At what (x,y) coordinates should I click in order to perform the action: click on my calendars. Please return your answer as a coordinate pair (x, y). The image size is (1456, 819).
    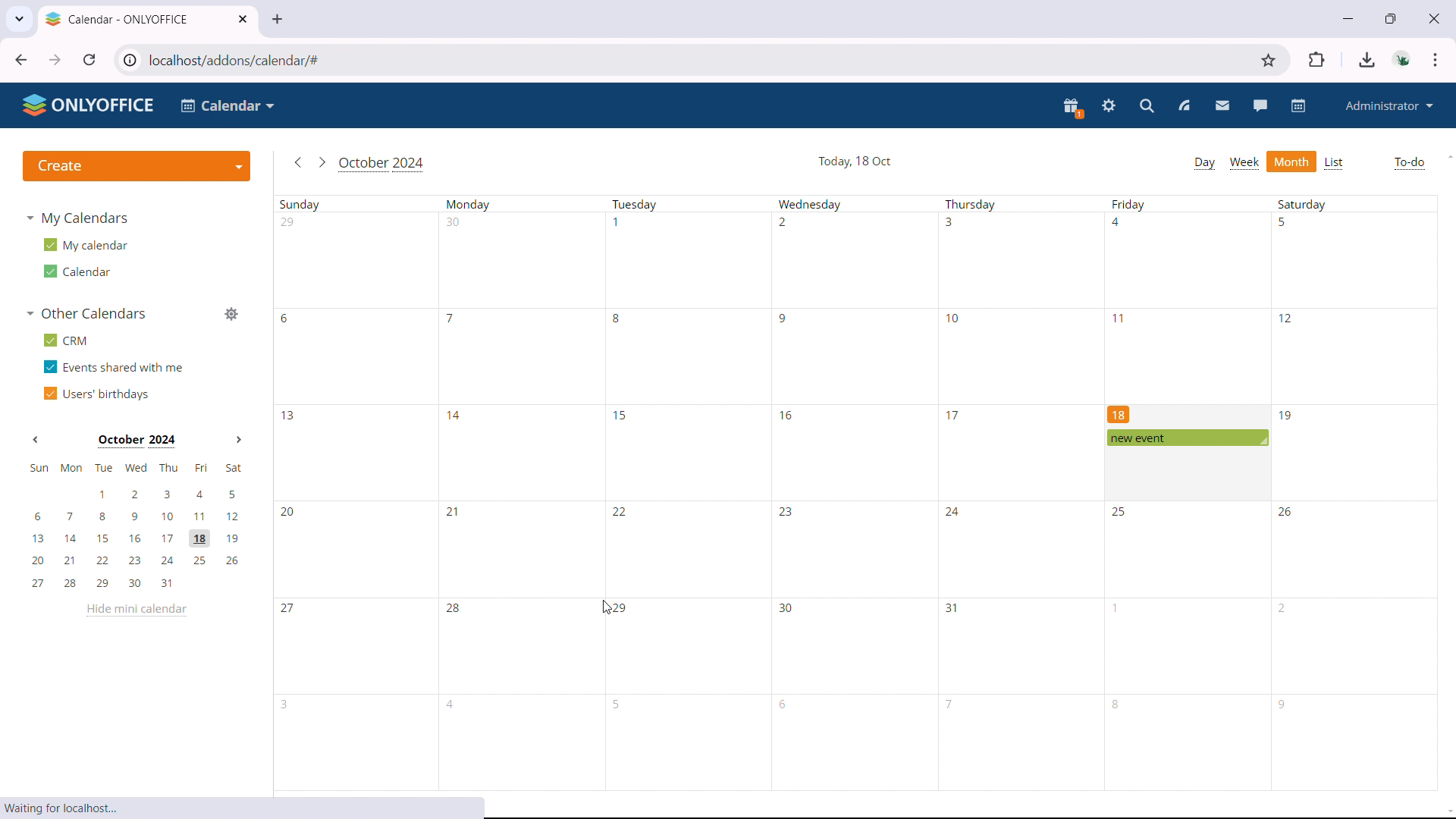
    Looking at the image, I should click on (80, 218).